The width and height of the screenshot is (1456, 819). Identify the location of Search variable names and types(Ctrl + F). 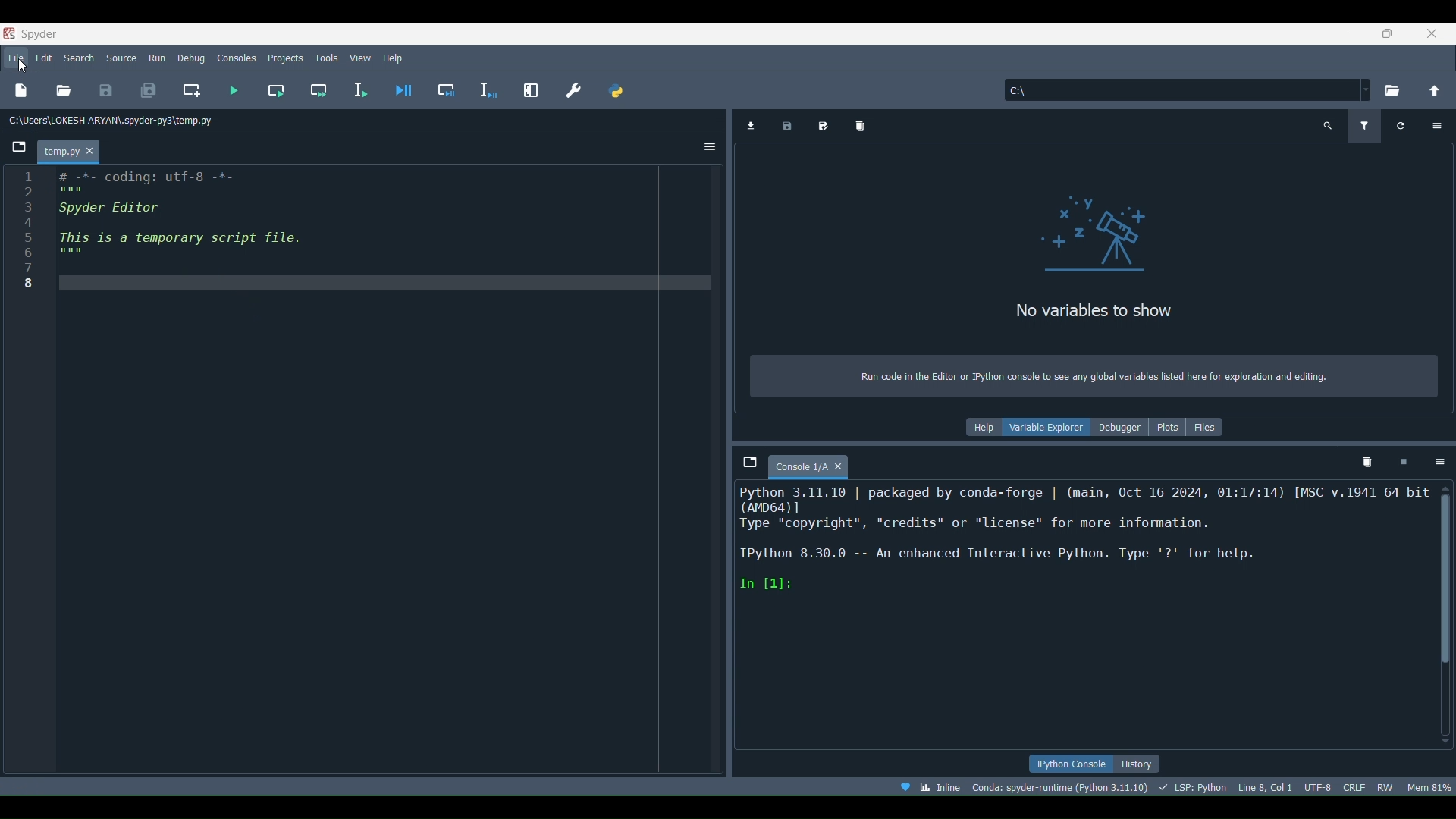
(1325, 127).